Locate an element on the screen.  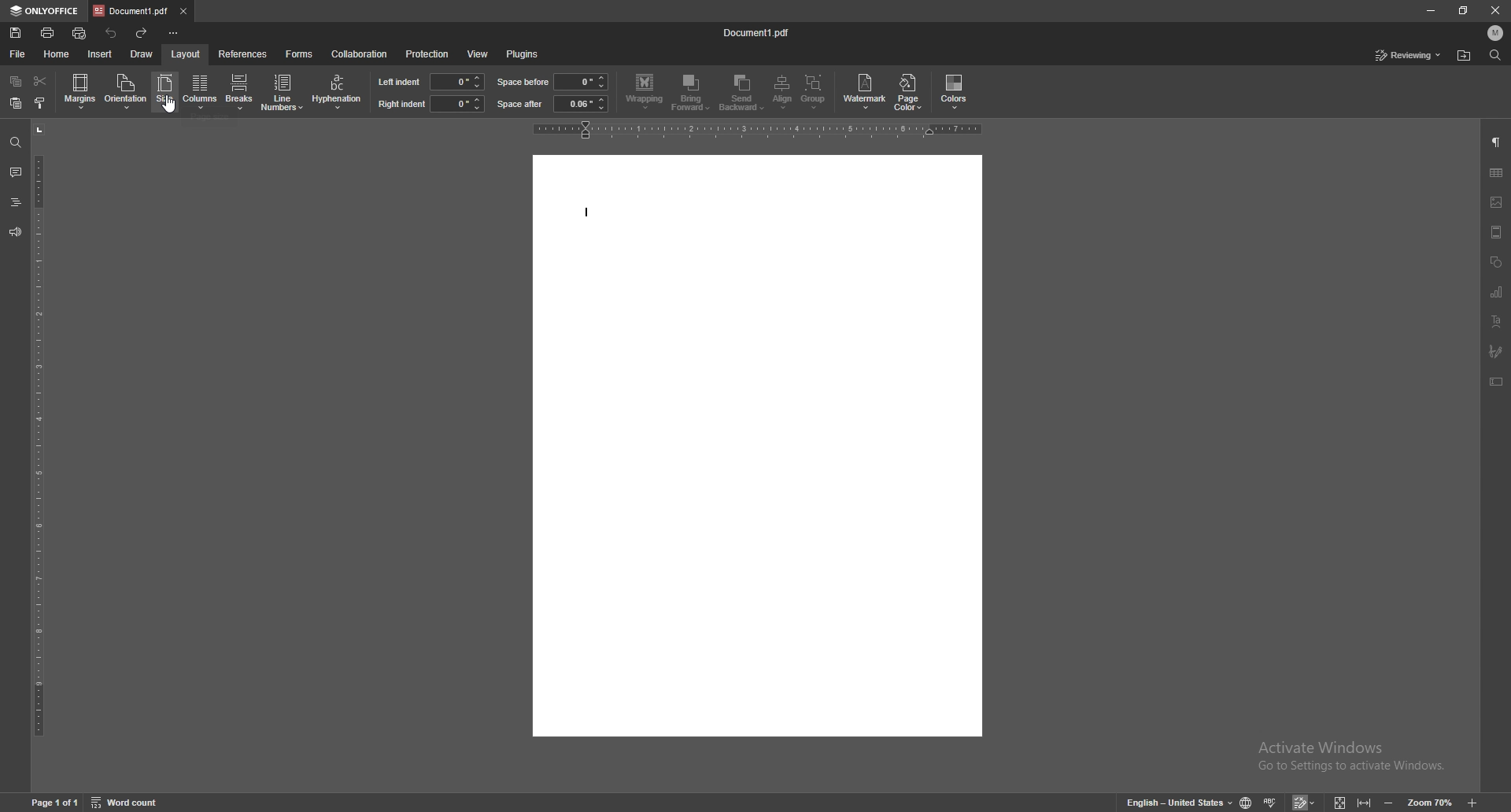
cut is located at coordinates (40, 81).